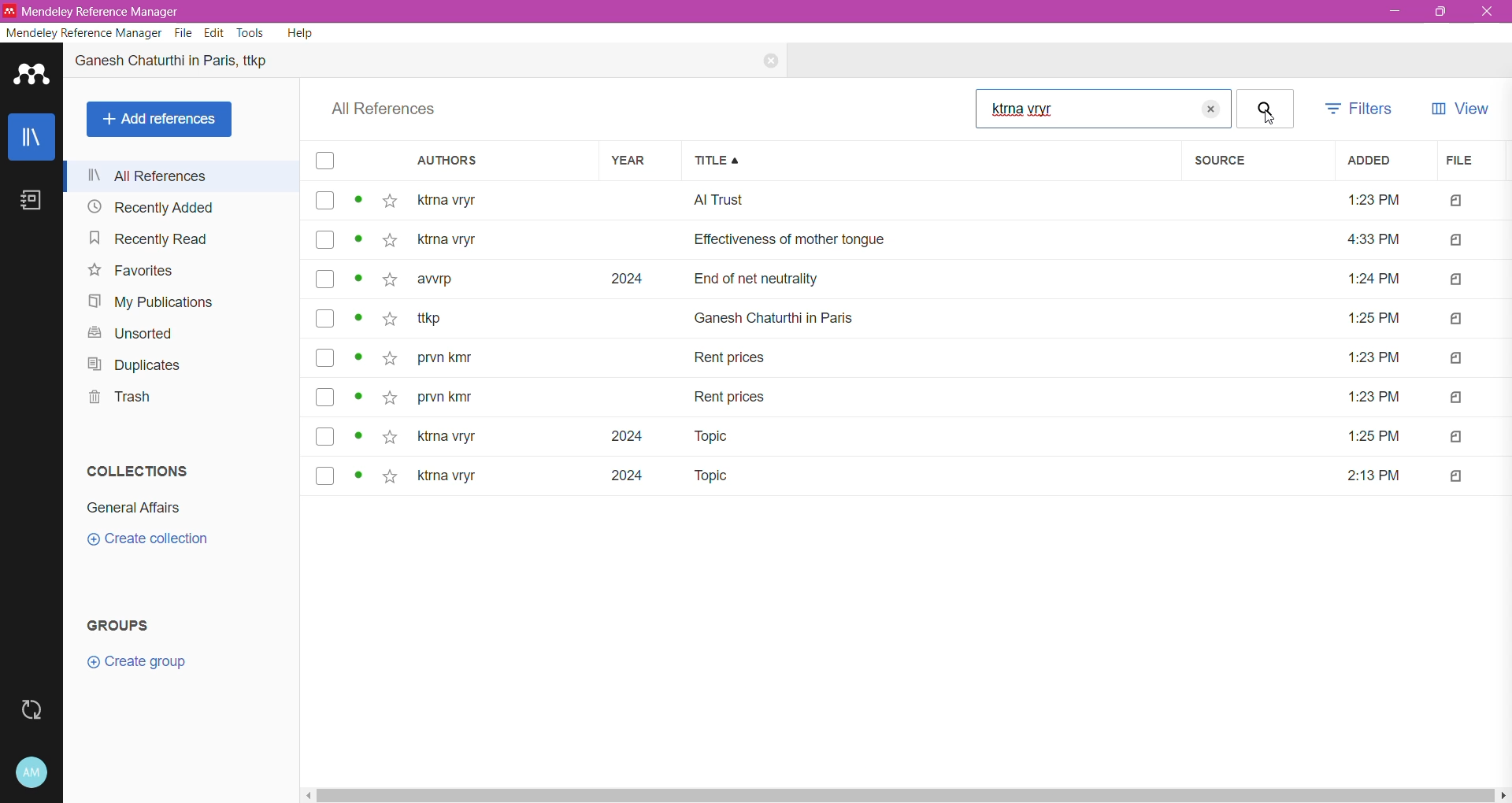 The height and width of the screenshot is (803, 1512). What do you see at coordinates (906, 202) in the screenshot?
I see `ktrna vryr Al Trust 1:23PM` at bounding box center [906, 202].